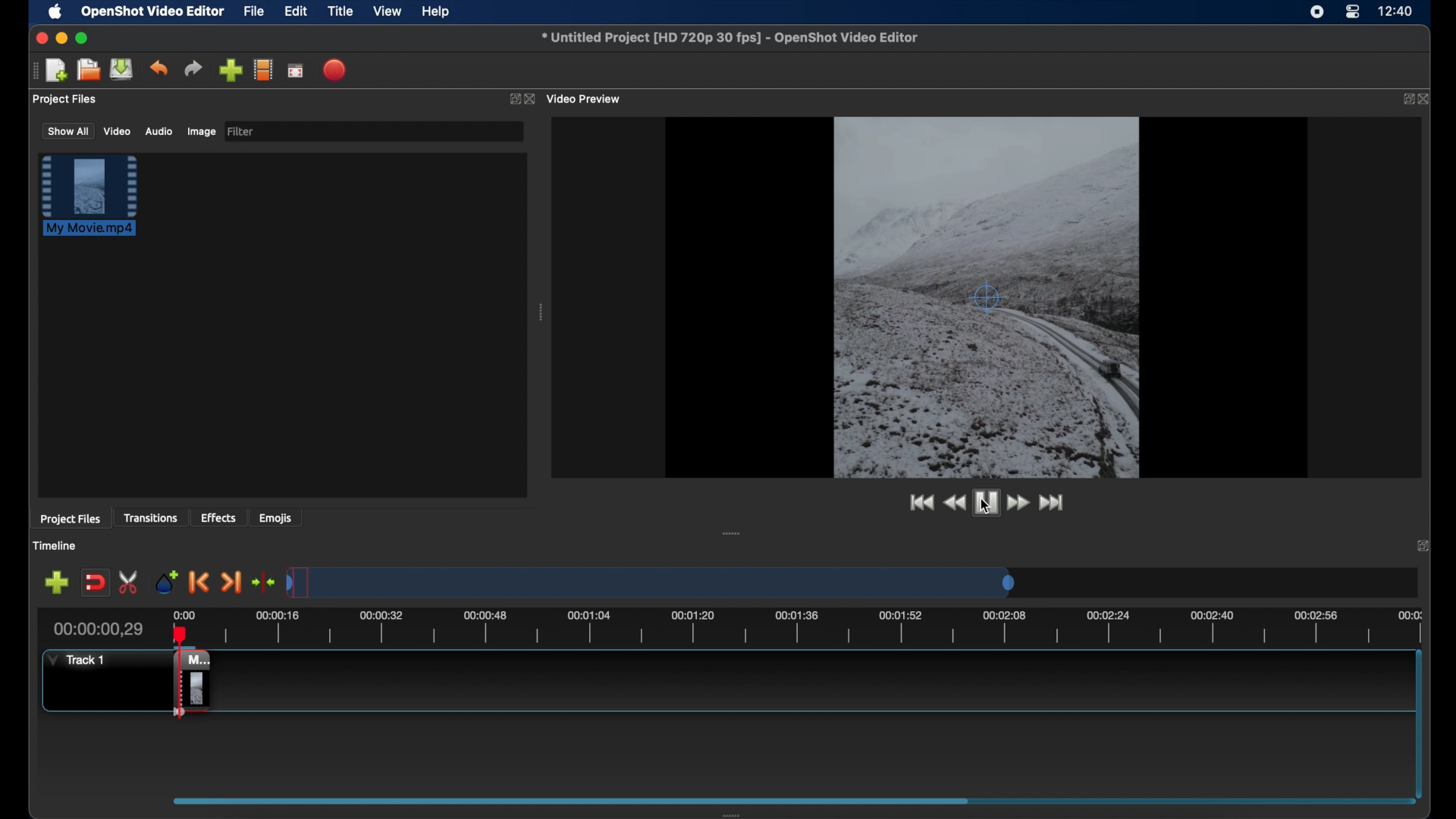 This screenshot has width=1456, height=819. What do you see at coordinates (71, 519) in the screenshot?
I see `project files` at bounding box center [71, 519].